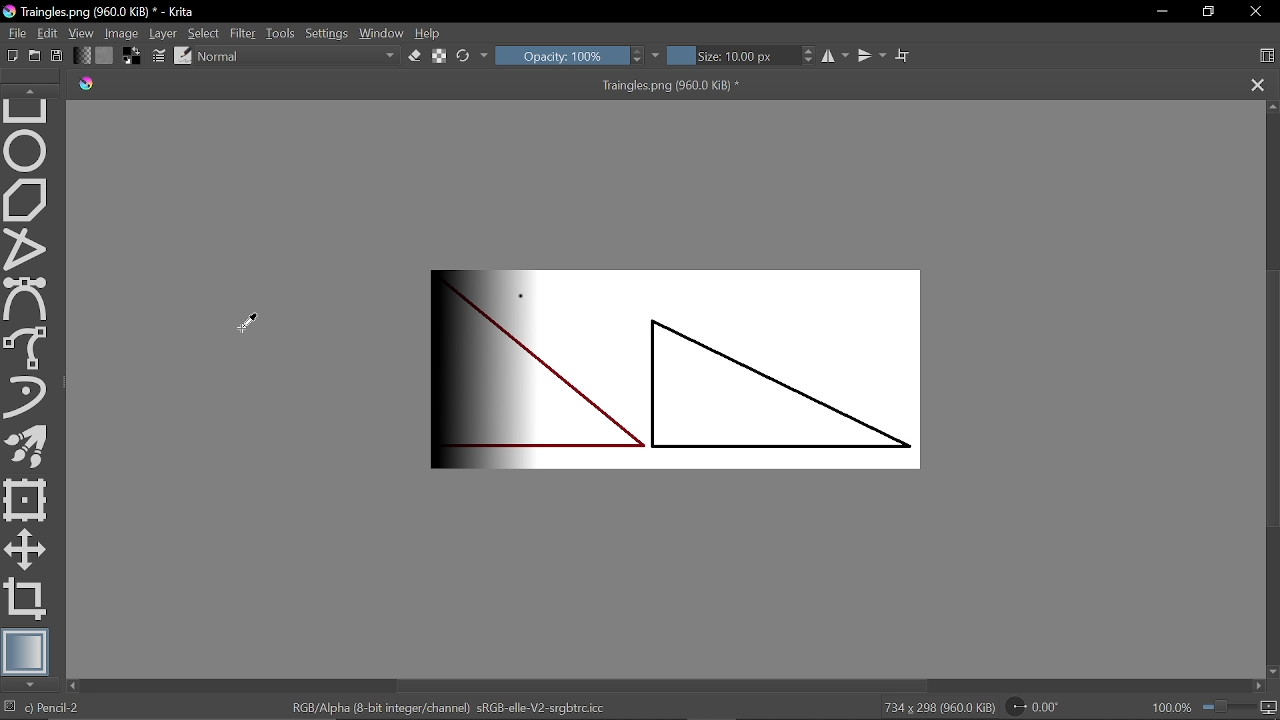 The width and height of the screenshot is (1280, 720). What do you see at coordinates (1038, 706) in the screenshot?
I see `Rotate` at bounding box center [1038, 706].